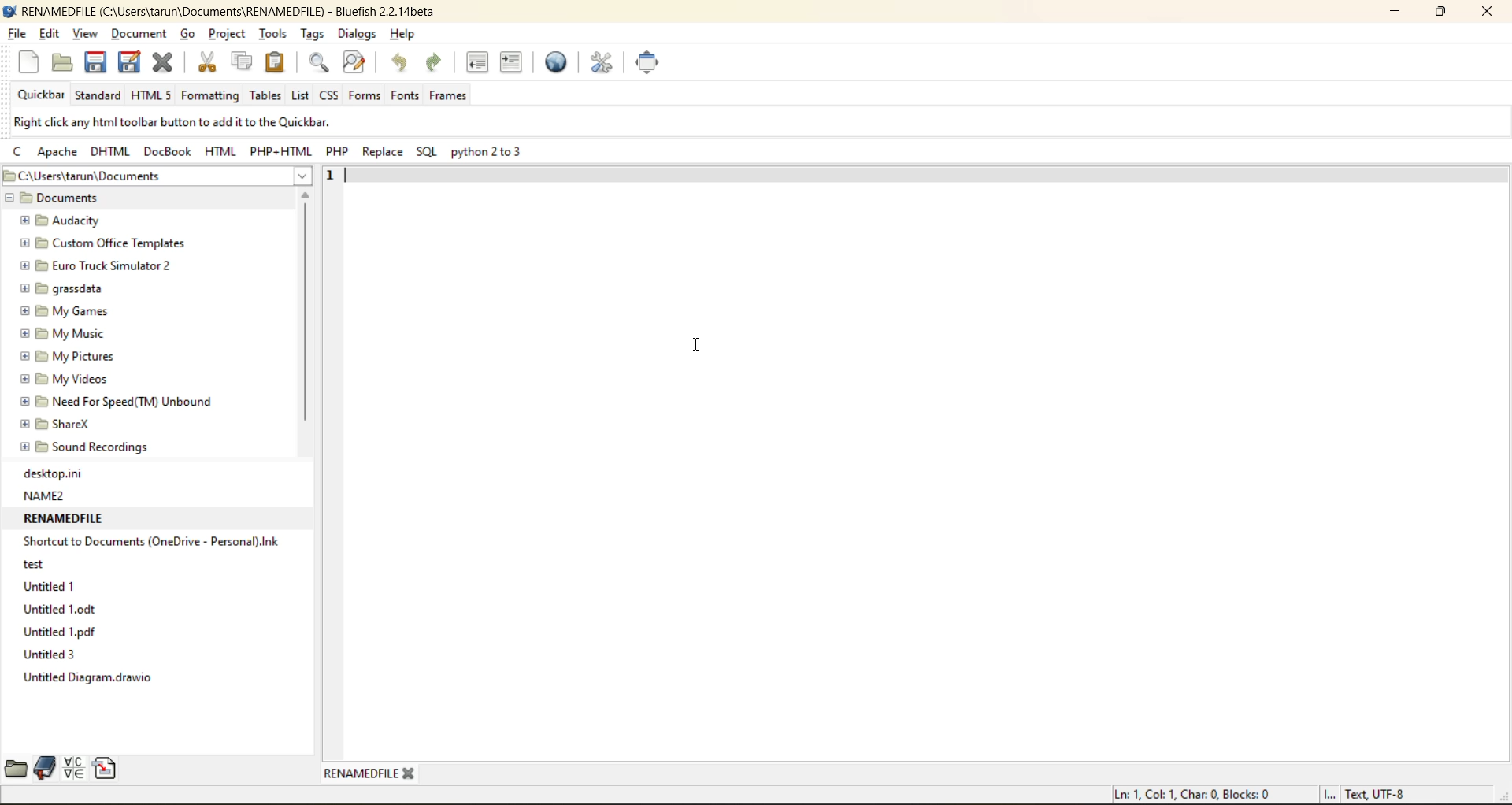 The image size is (1512, 805). Describe the element at coordinates (102, 95) in the screenshot. I see `standard` at that location.